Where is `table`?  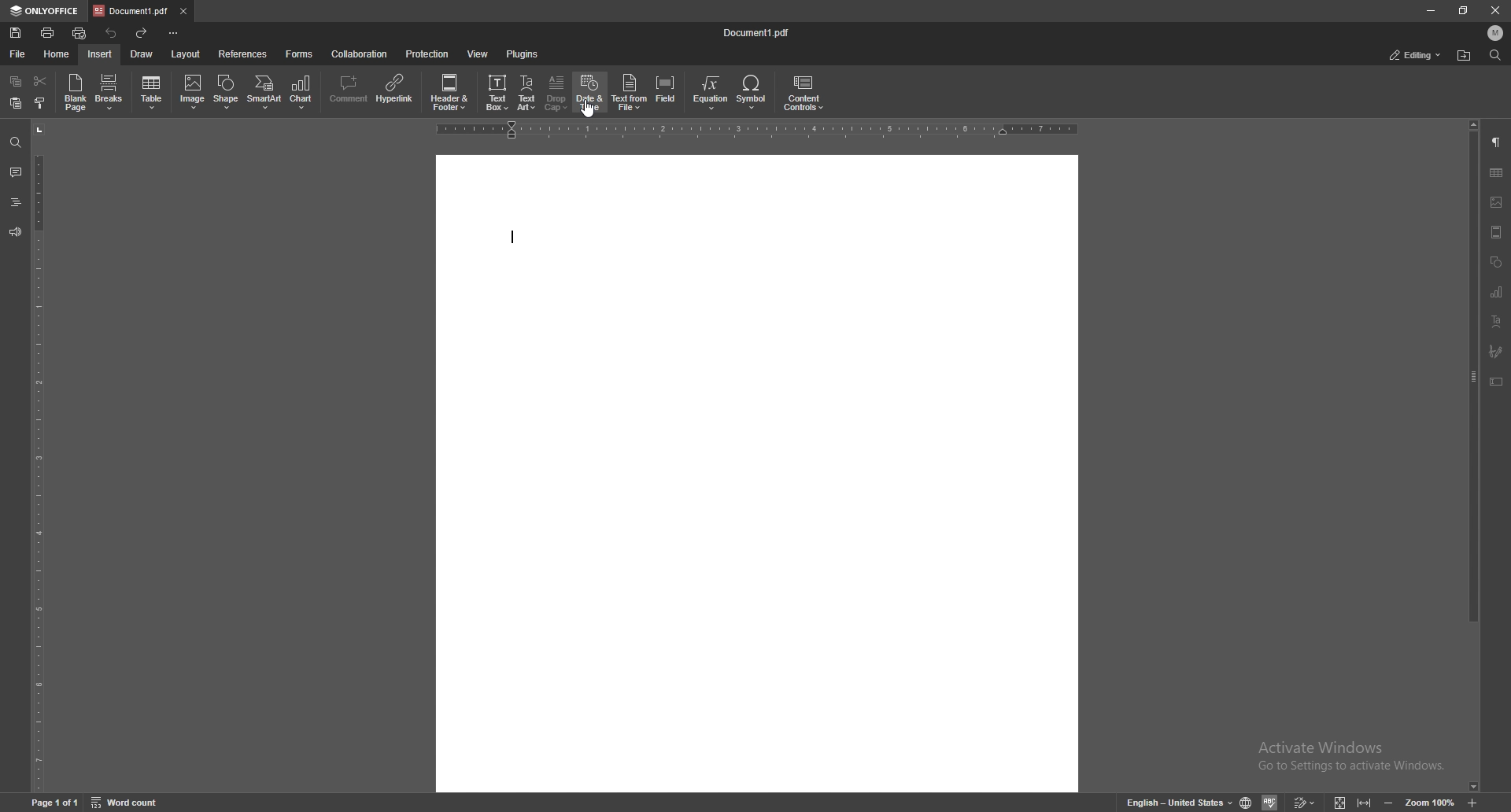
table is located at coordinates (152, 94).